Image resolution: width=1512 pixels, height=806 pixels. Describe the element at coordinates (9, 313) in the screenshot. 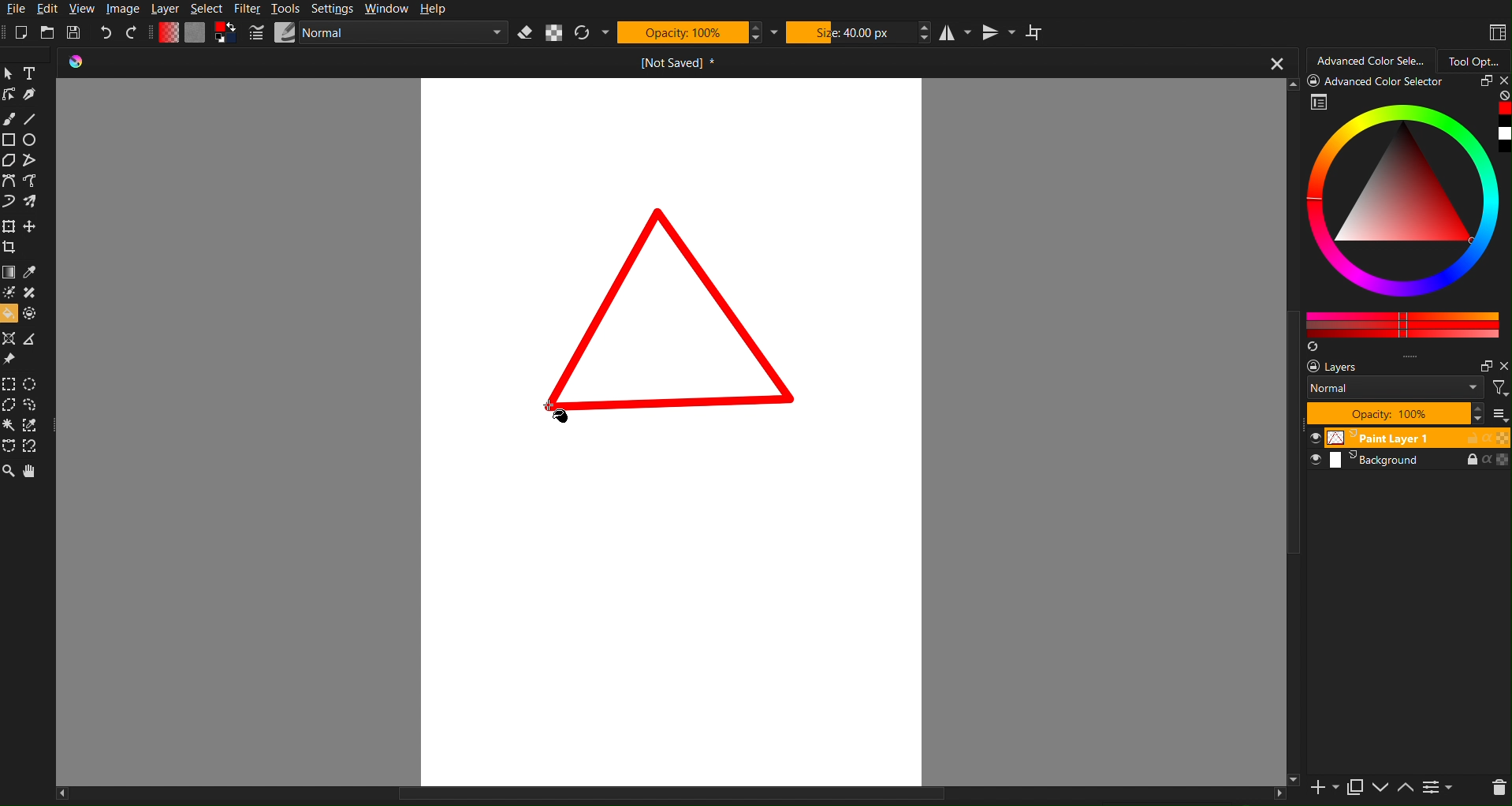

I see `fill a contiguous area of color with a color, or fill a selection` at that location.